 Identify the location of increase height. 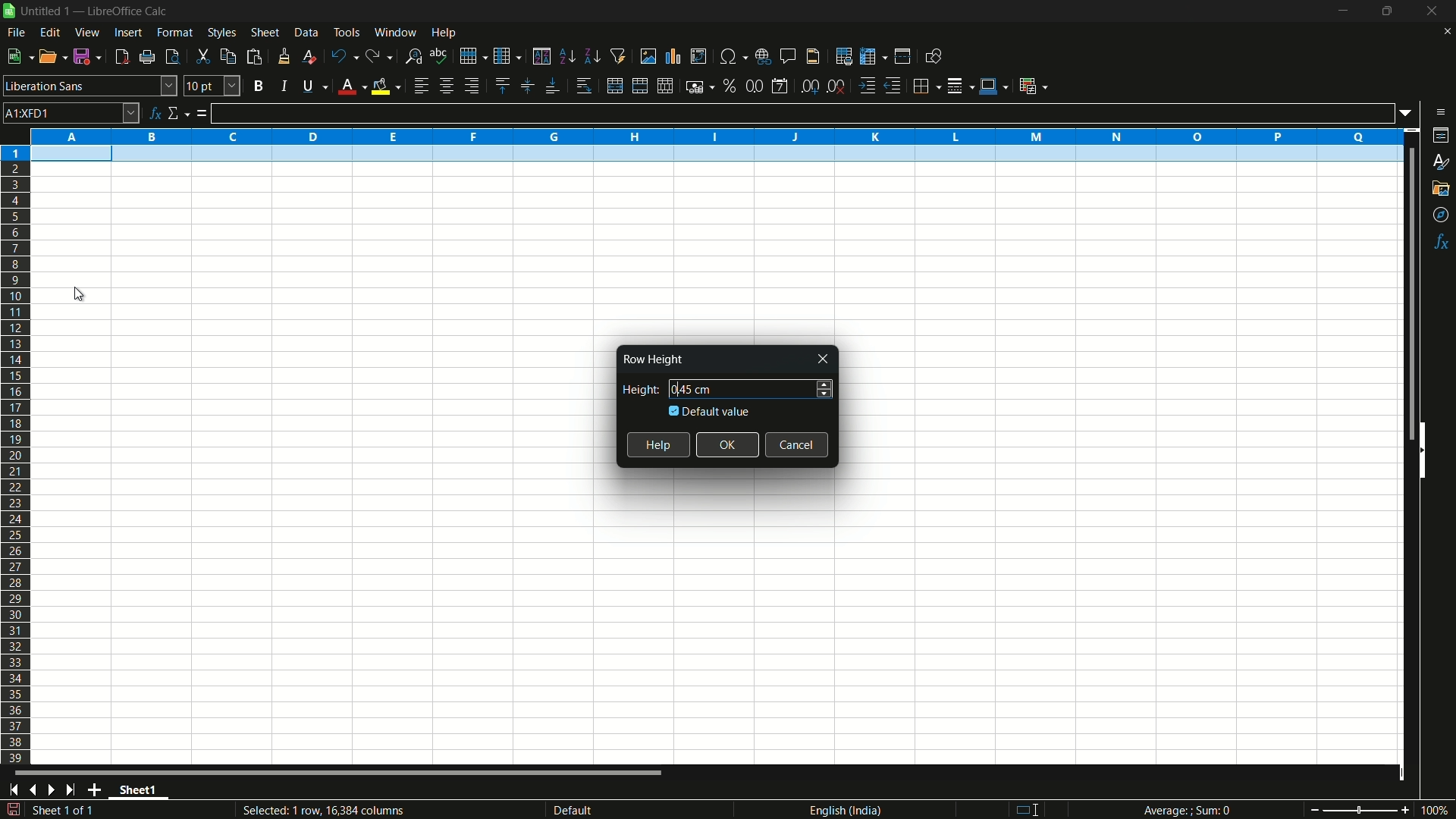
(825, 382).